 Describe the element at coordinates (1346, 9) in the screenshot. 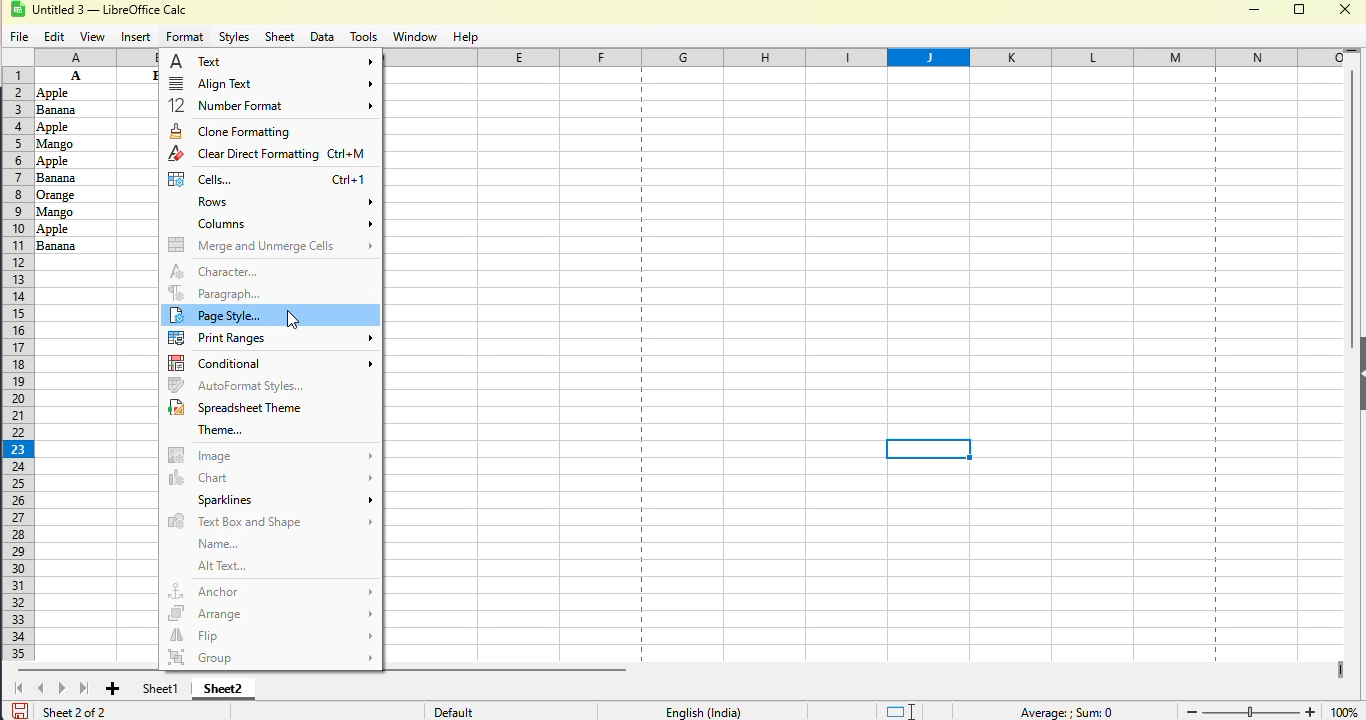

I see `close` at that location.